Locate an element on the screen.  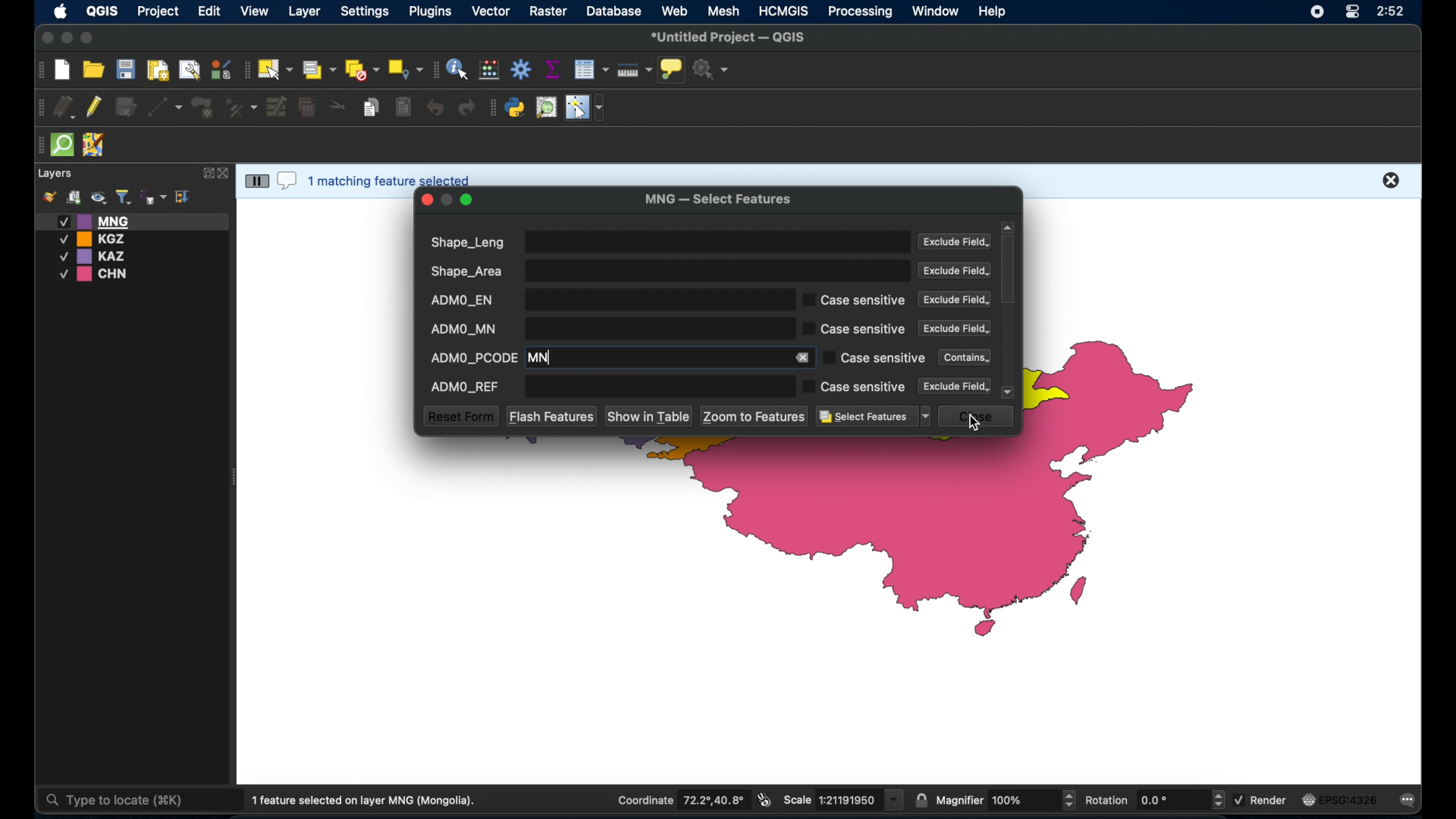
close is located at coordinates (225, 174).